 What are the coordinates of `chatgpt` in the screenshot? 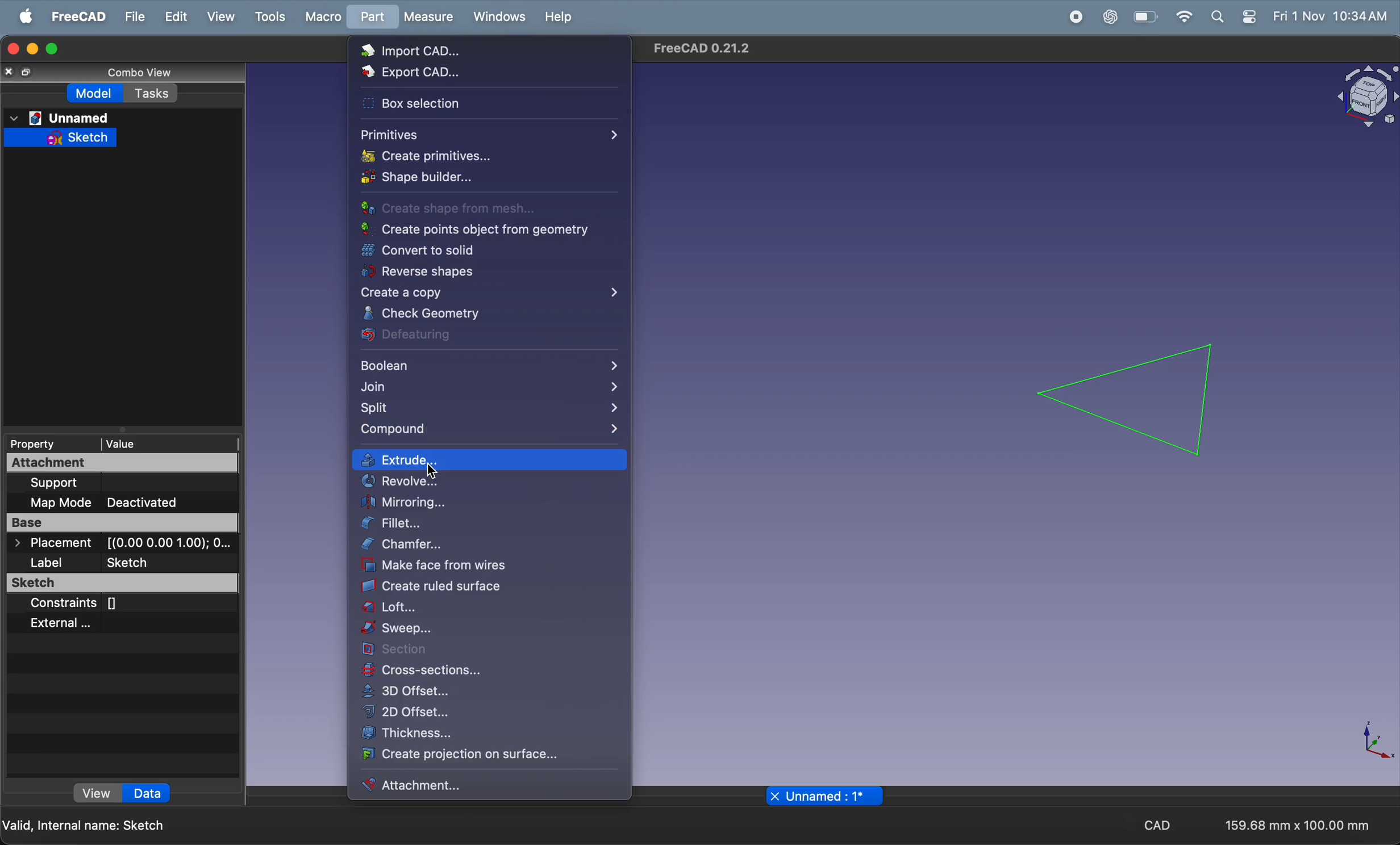 It's located at (1112, 16).